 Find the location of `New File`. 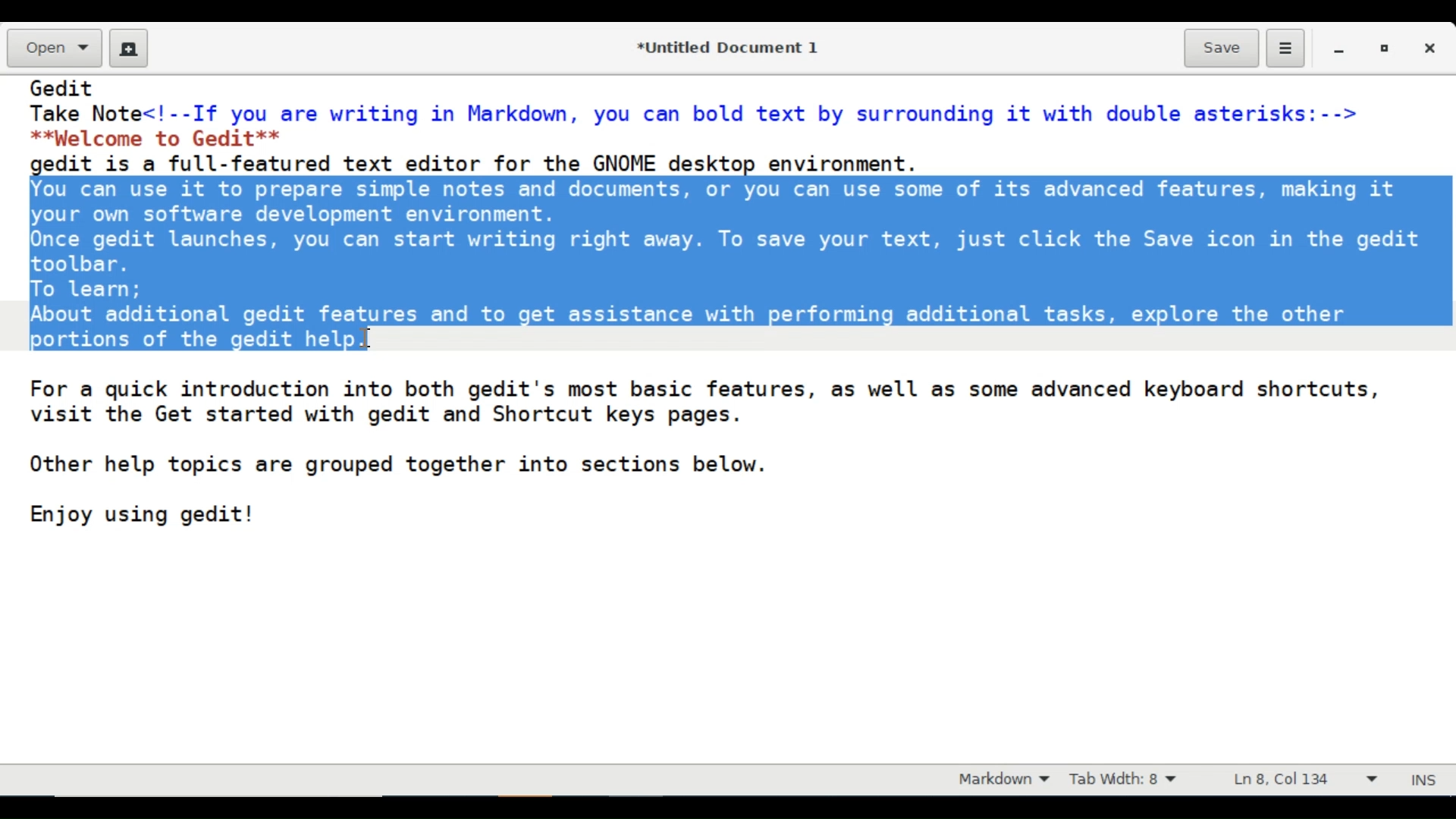

New File is located at coordinates (129, 48).